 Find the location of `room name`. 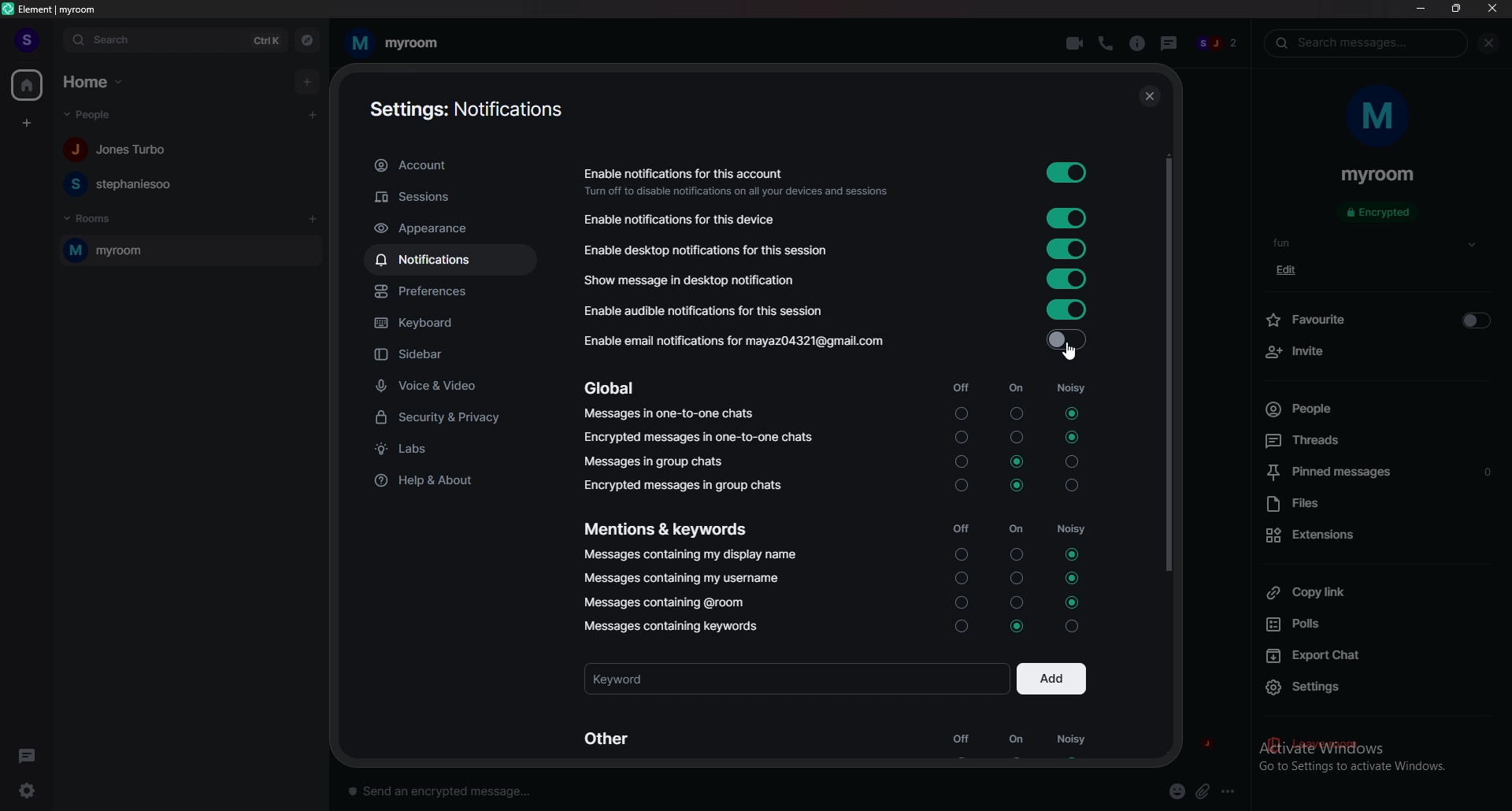

room name is located at coordinates (1378, 176).